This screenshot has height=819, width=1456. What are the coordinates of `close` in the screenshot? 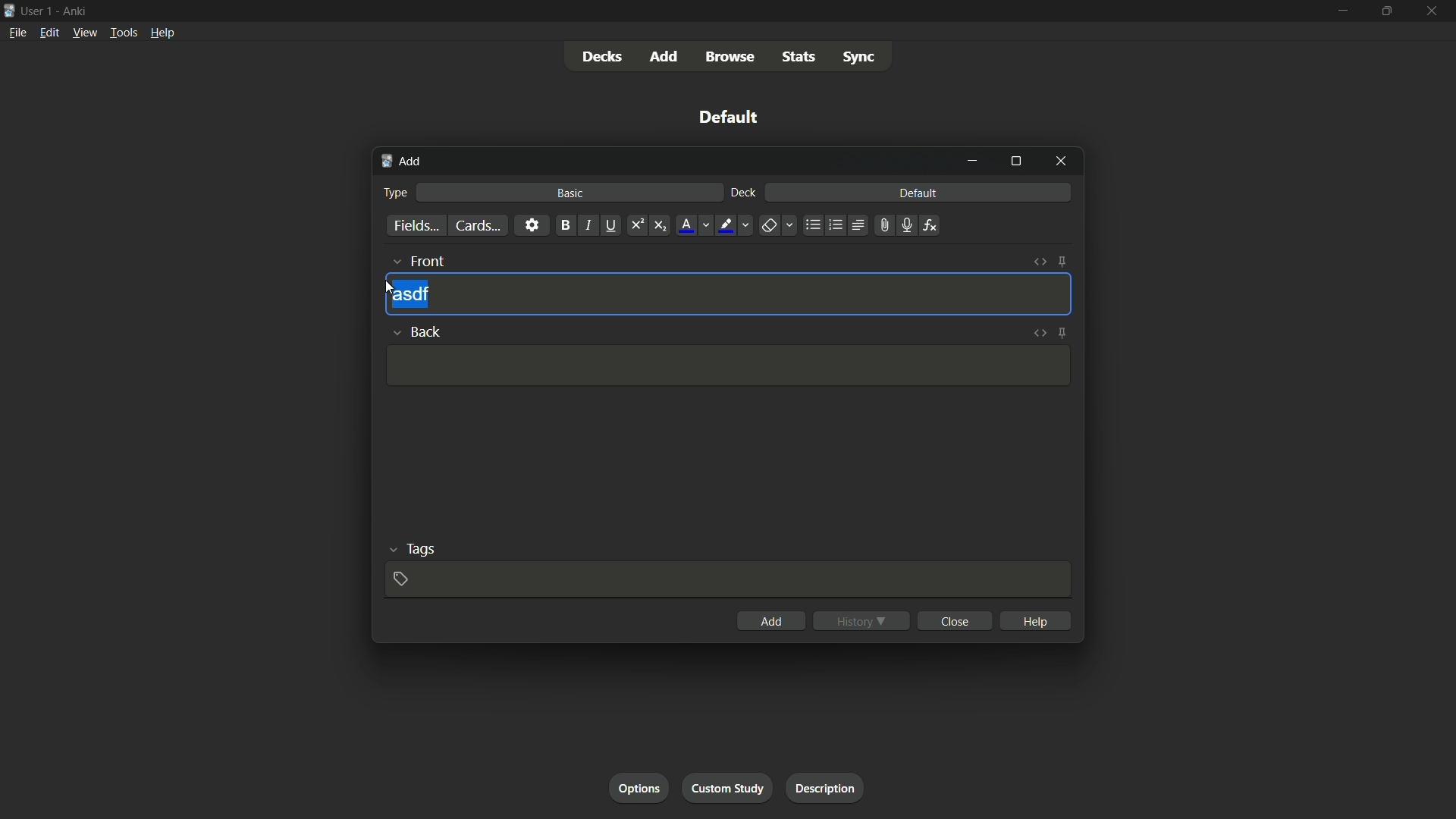 It's located at (1430, 11).